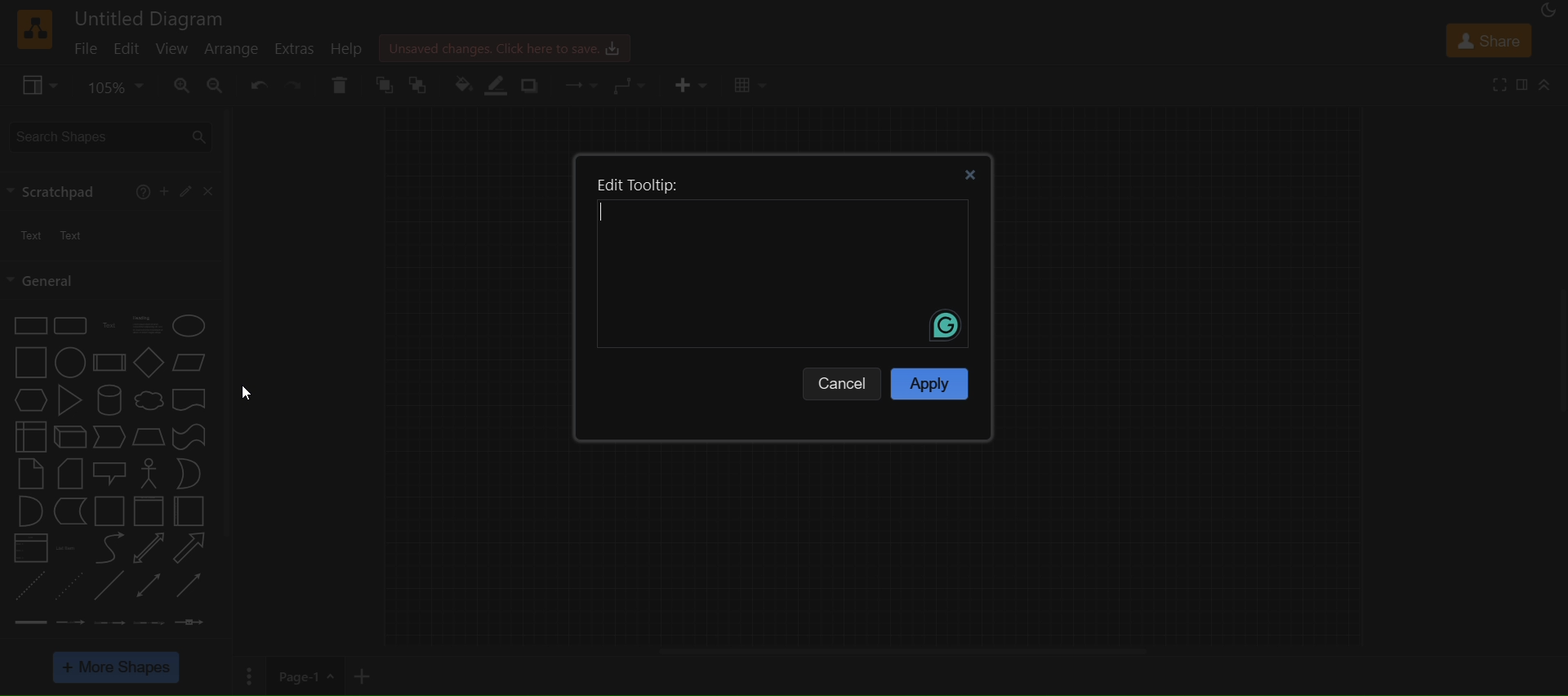  What do you see at coordinates (85, 47) in the screenshot?
I see `file` at bounding box center [85, 47].